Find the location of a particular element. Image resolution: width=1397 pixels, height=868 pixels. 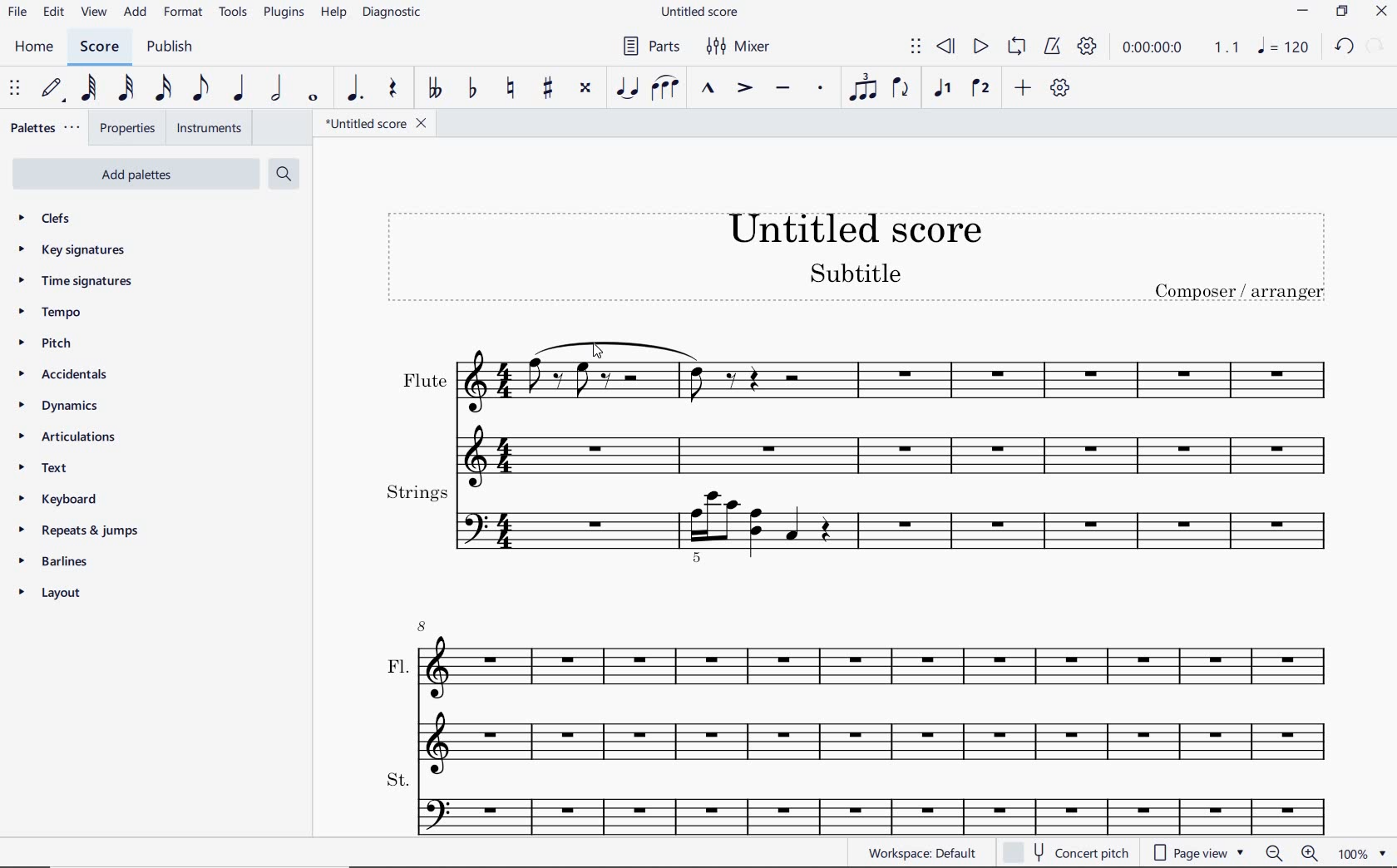

plugins is located at coordinates (282, 12).